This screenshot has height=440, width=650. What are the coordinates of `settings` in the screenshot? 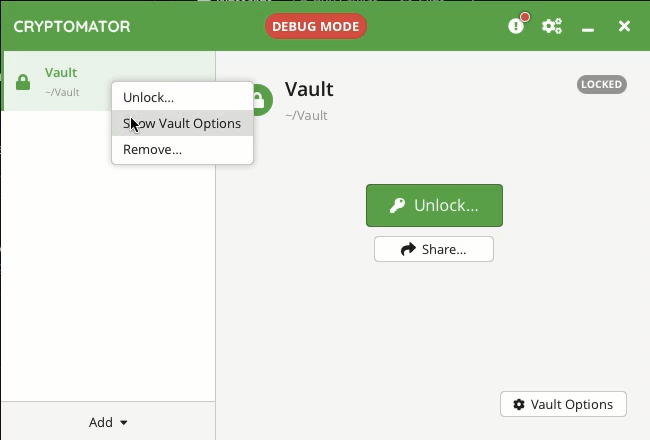 It's located at (553, 26).